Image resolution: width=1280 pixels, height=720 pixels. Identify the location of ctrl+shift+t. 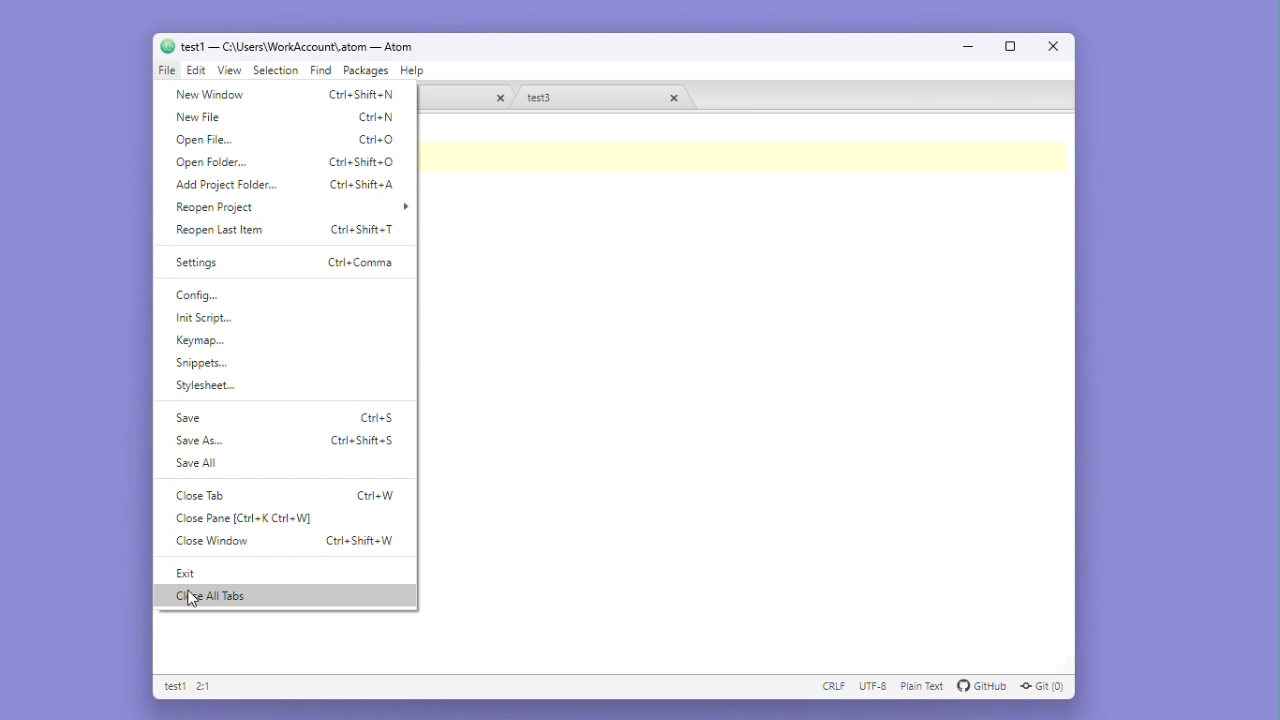
(362, 229).